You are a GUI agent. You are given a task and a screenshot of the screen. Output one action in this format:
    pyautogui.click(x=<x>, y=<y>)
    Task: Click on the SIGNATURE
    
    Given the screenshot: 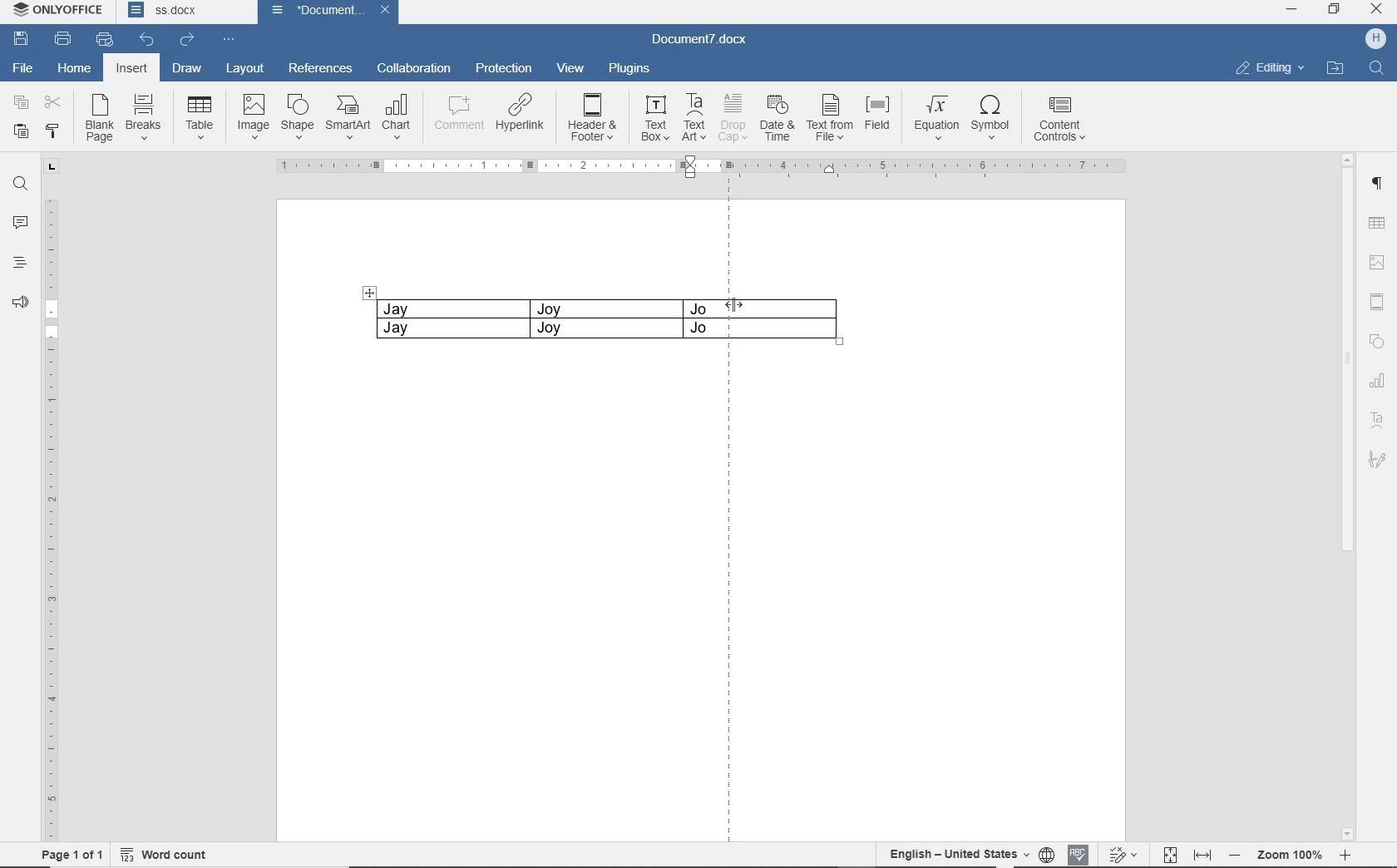 What is the action you would take?
    pyautogui.click(x=1377, y=459)
    